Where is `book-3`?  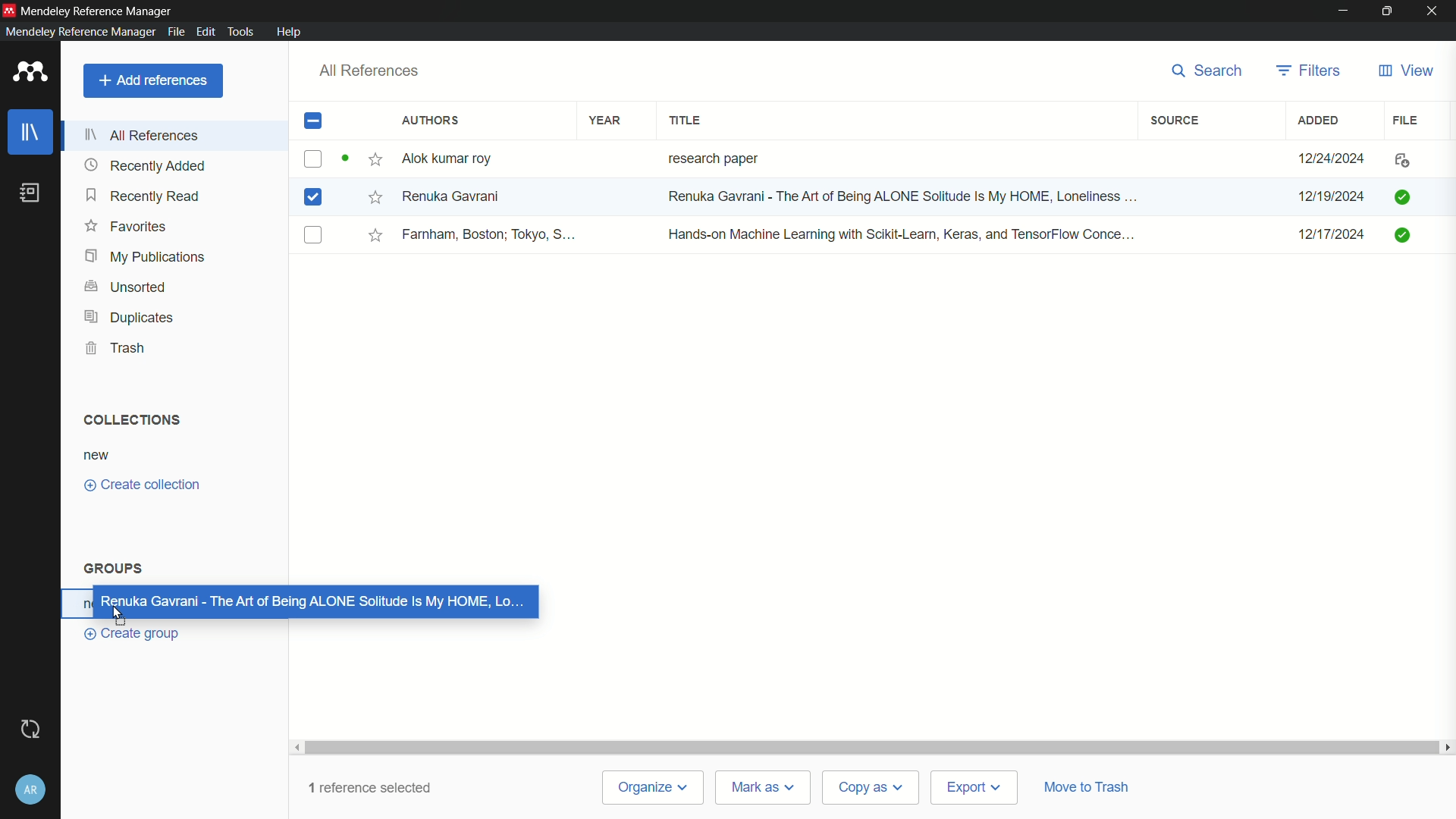 book-3 is located at coordinates (314, 236).